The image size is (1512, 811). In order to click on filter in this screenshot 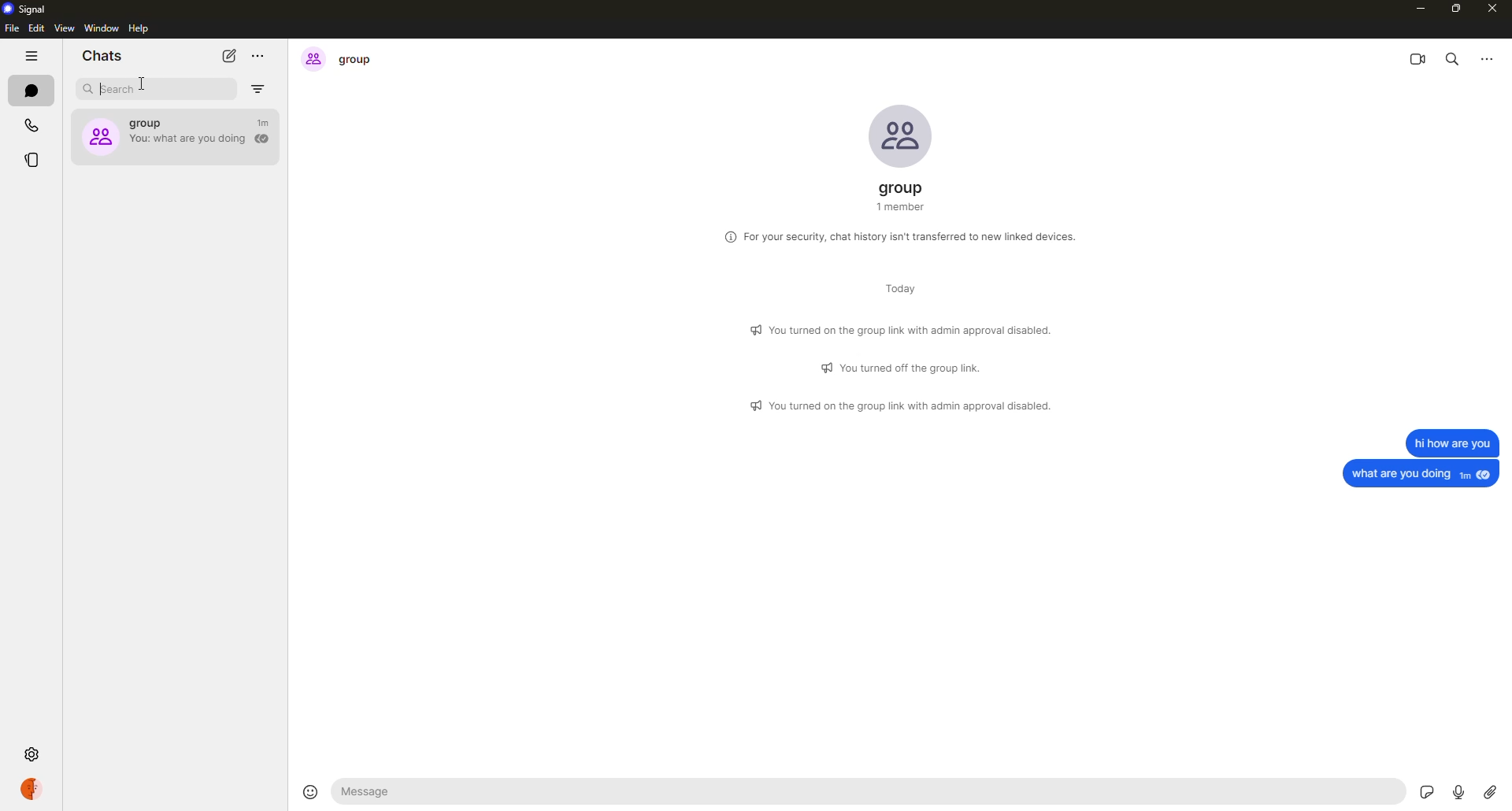, I will do `click(261, 89)`.